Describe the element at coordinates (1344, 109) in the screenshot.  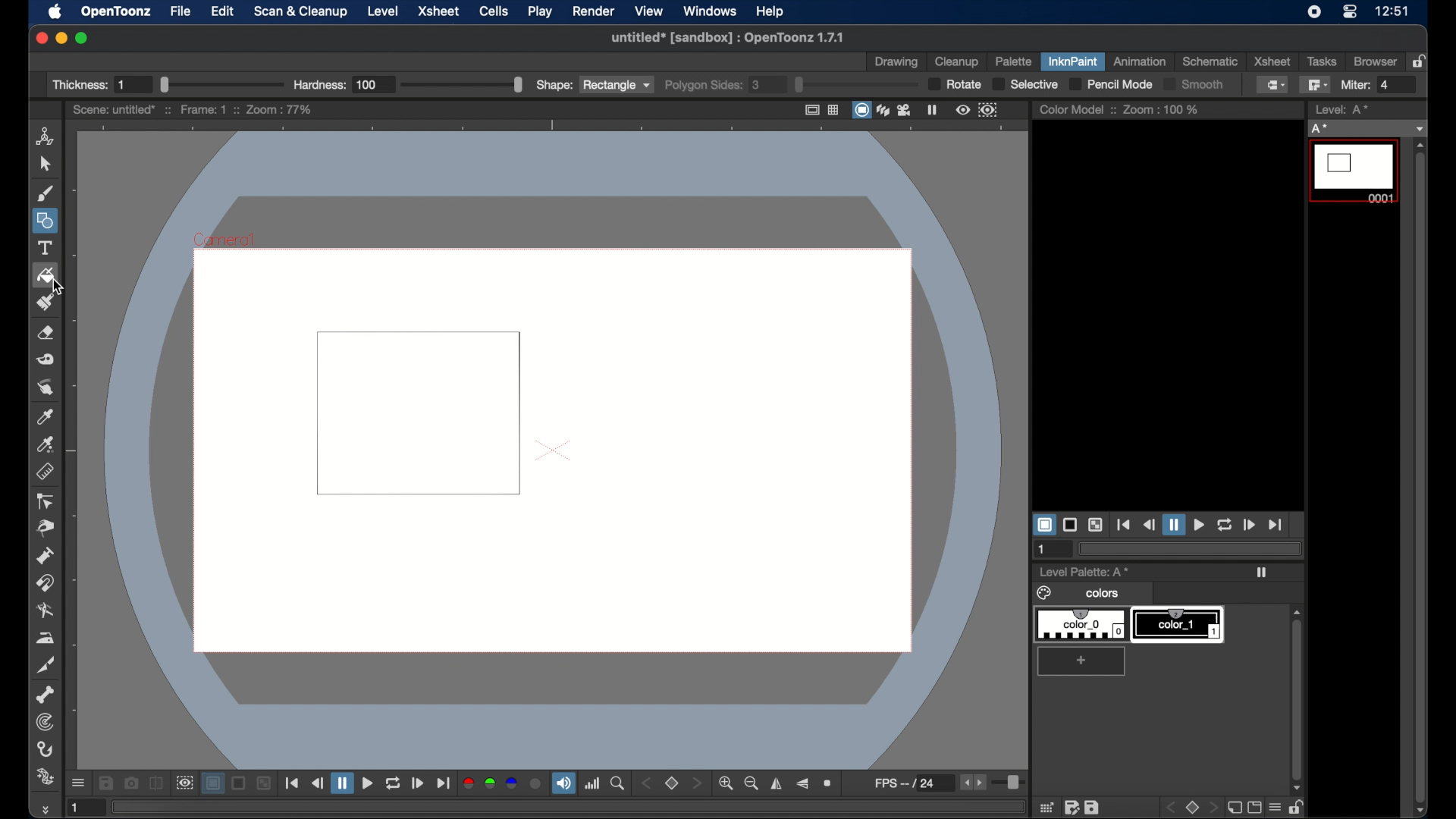
I see `level strip` at that location.